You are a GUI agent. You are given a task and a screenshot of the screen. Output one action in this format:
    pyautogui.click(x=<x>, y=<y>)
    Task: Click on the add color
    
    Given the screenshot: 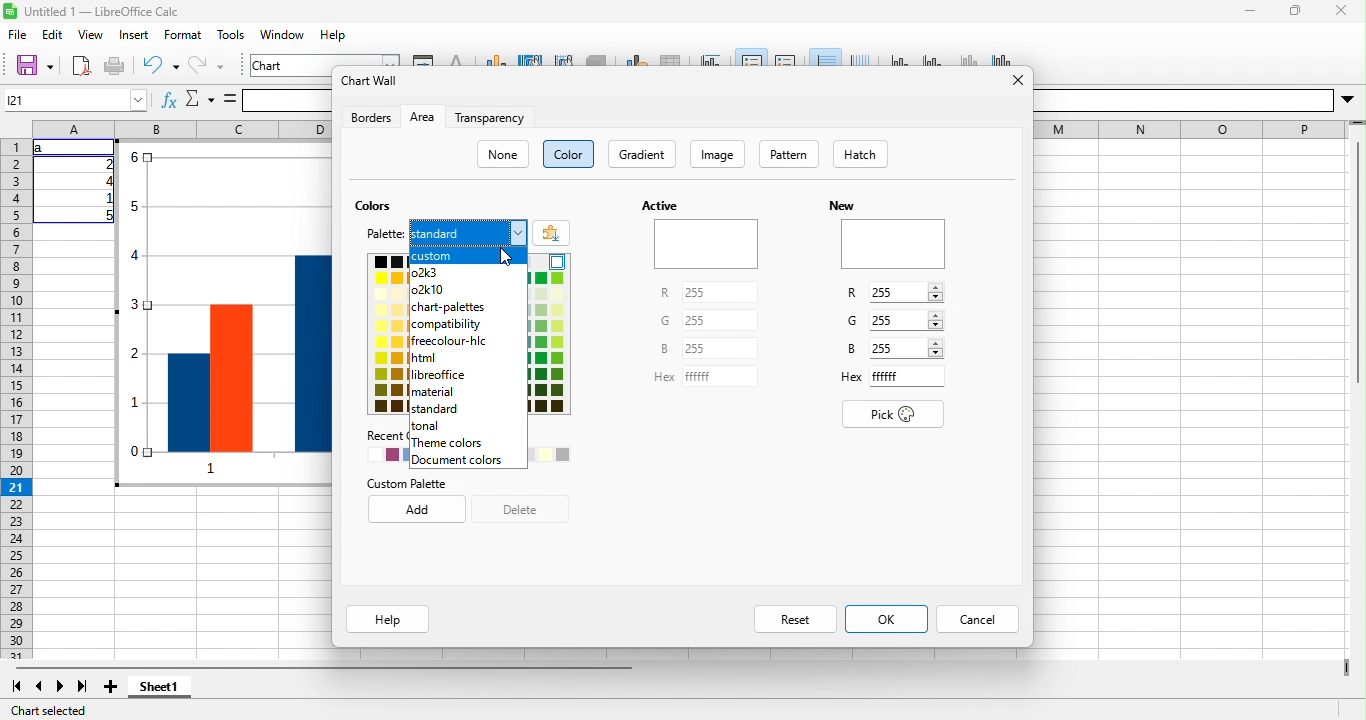 What is the action you would take?
    pyautogui.click(x=551, y=233)
    